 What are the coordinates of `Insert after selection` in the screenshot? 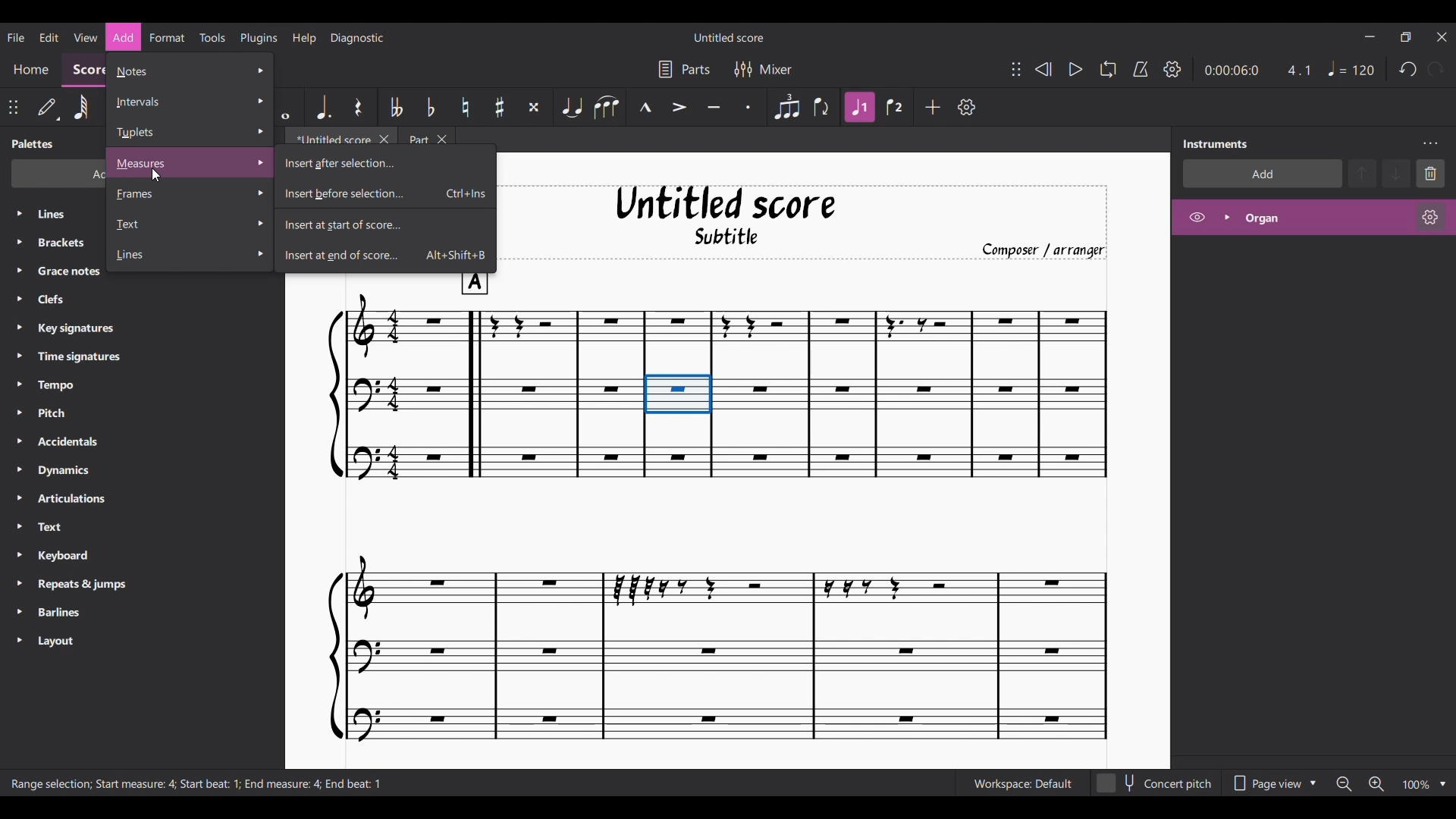 It's located at (386, 162).